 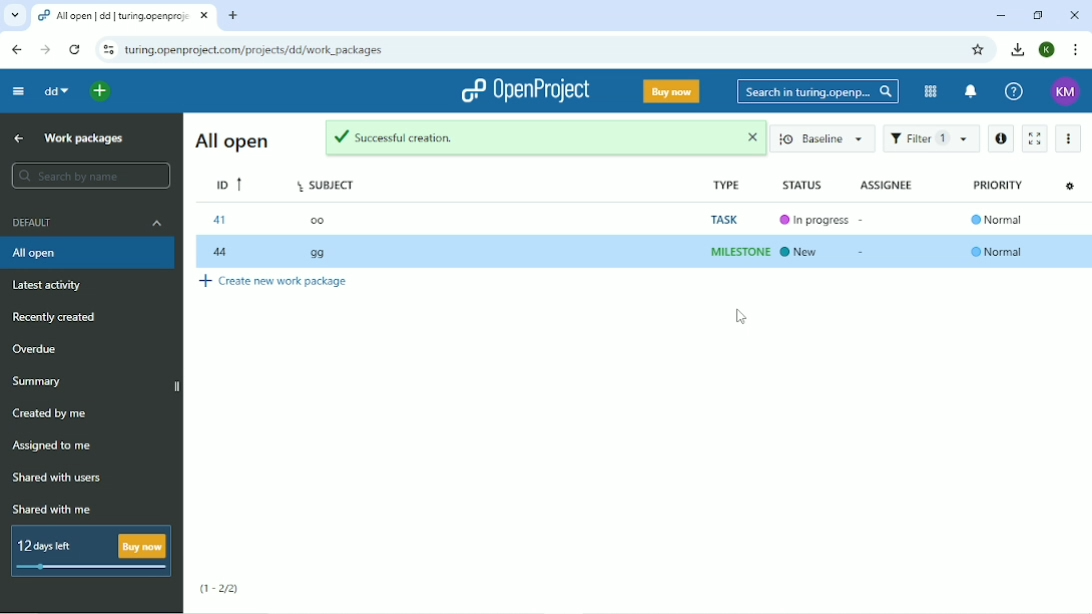 I want to click on Modules, so click(x=929, y=90).